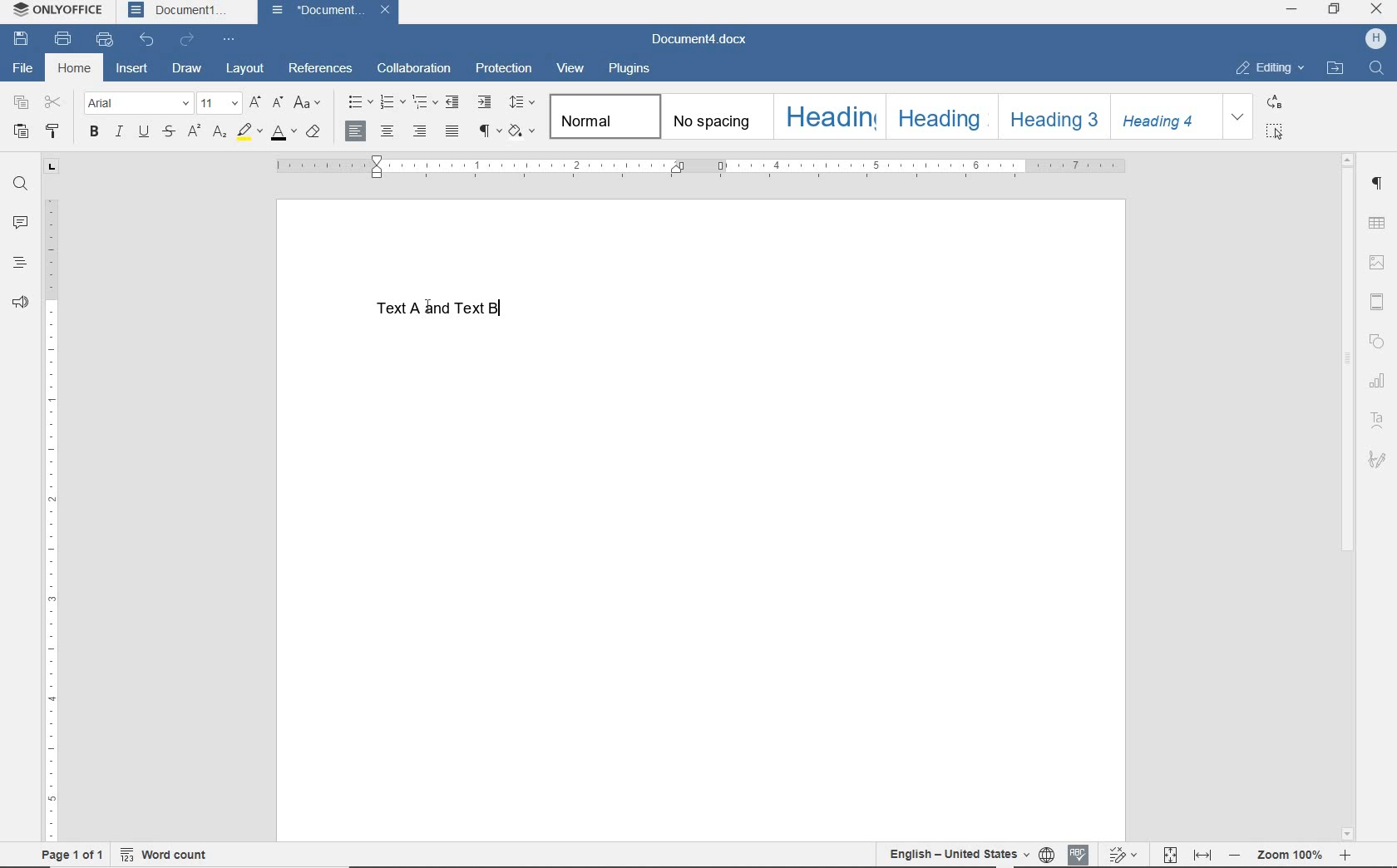  I want to click on PARAGRAPH SETTINGS, so click(1377, 184).